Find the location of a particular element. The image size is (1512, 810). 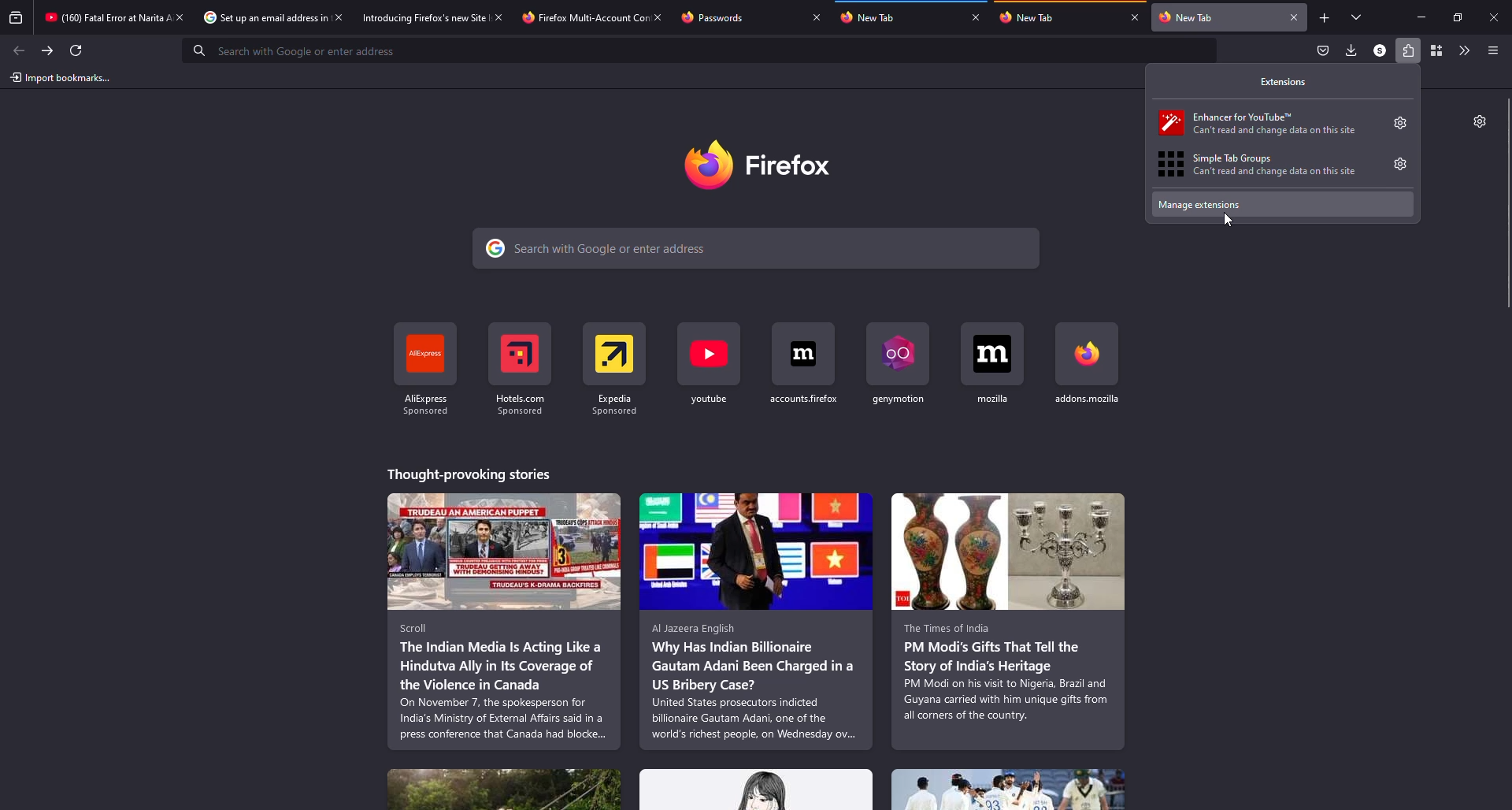

shortcut is located at coordinates (905, 372).